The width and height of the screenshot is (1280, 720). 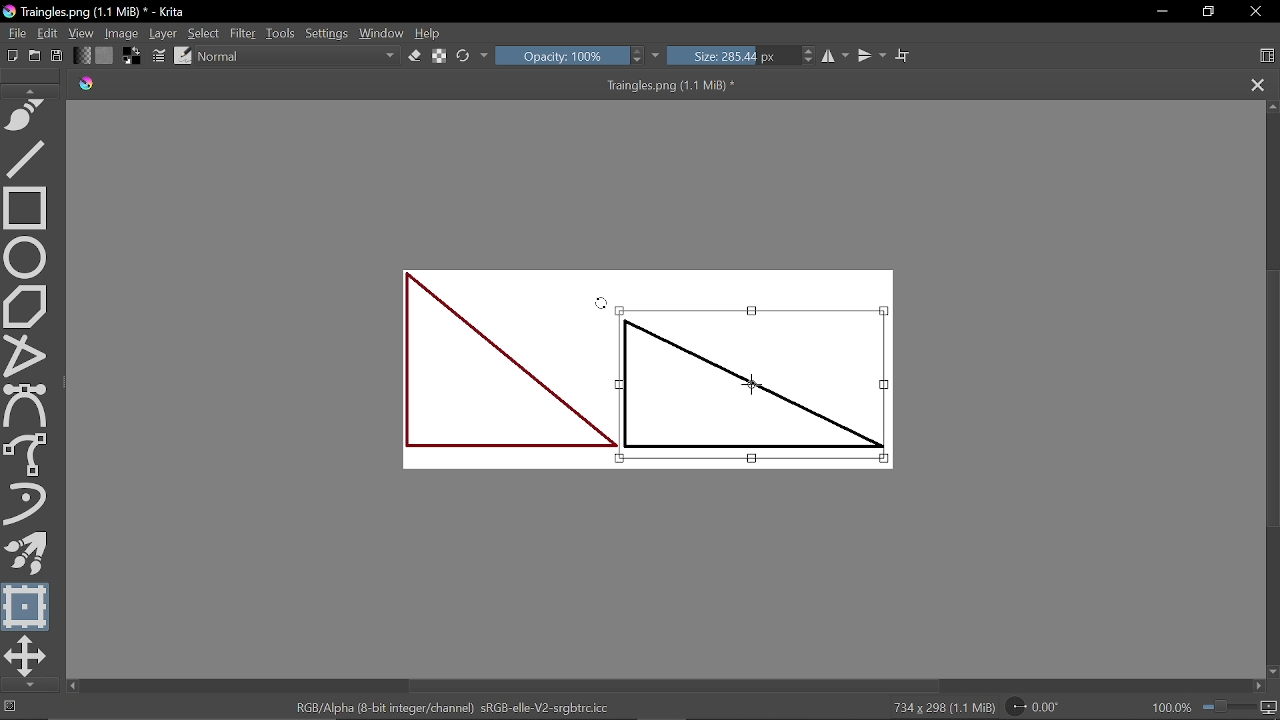 I want to click on Horizontal scrollbar, so click(x=675, y=686).